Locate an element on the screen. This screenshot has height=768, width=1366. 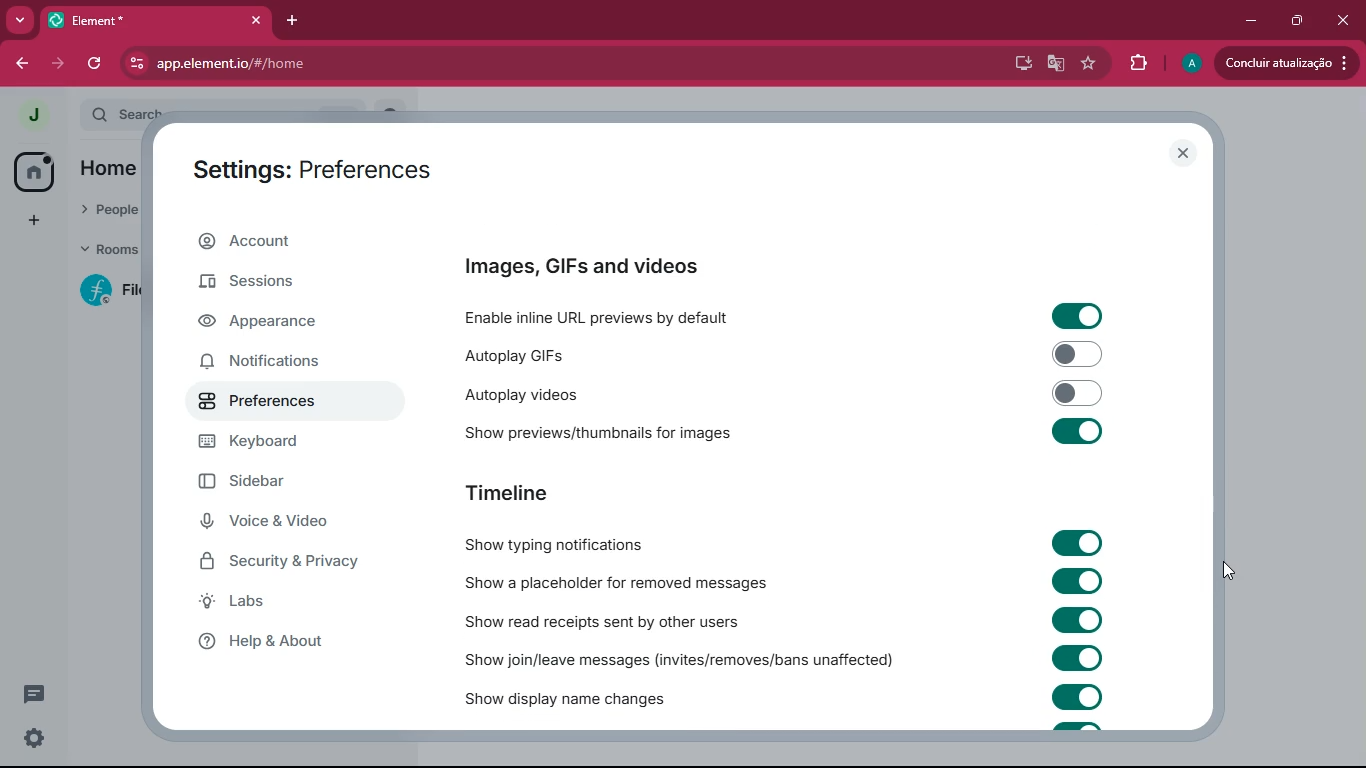
account is located at coordinates (290, 240).